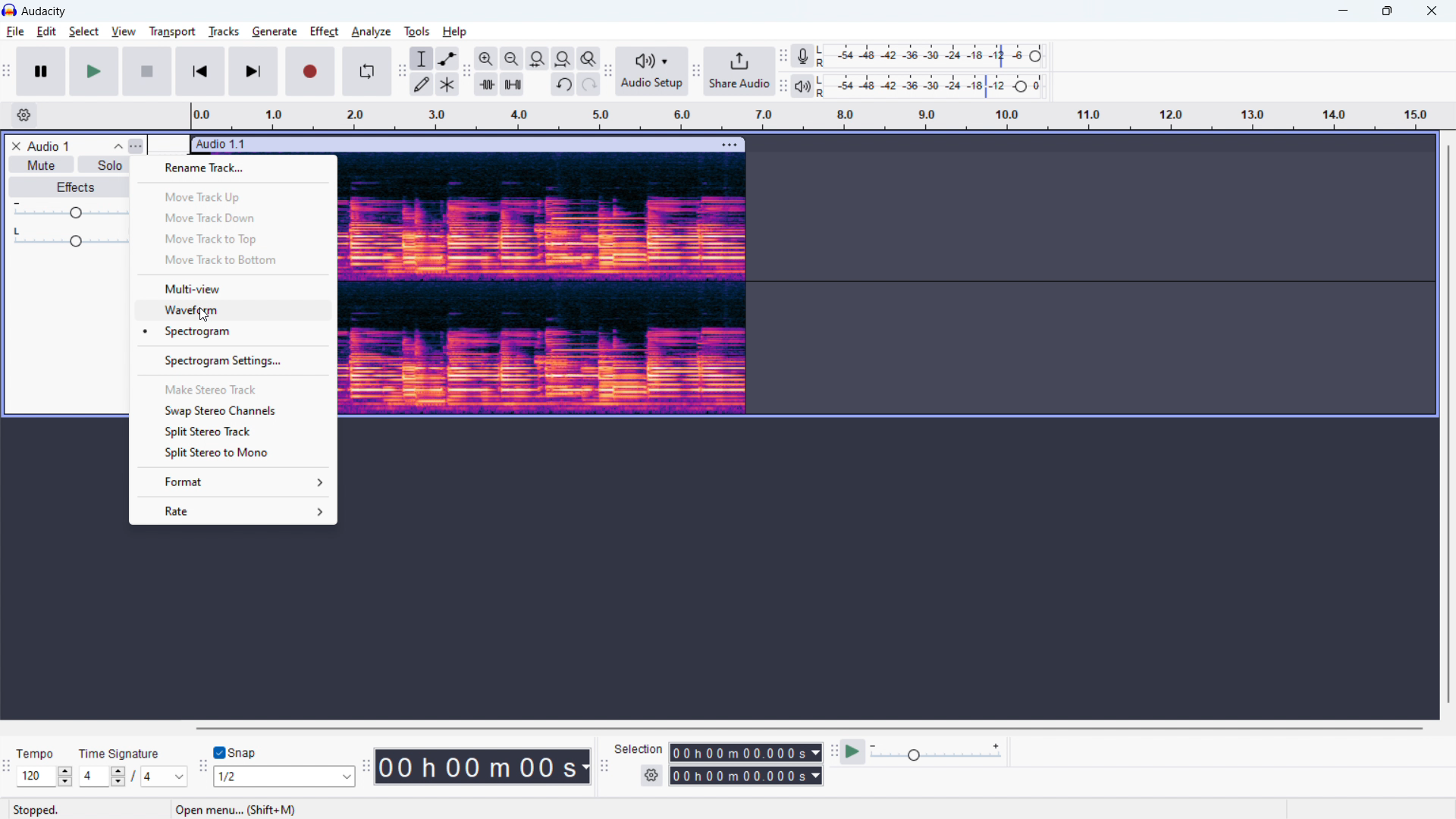  Describe the element at coordinates (372, 30) in the screenshot. I see `analyze` at that location.